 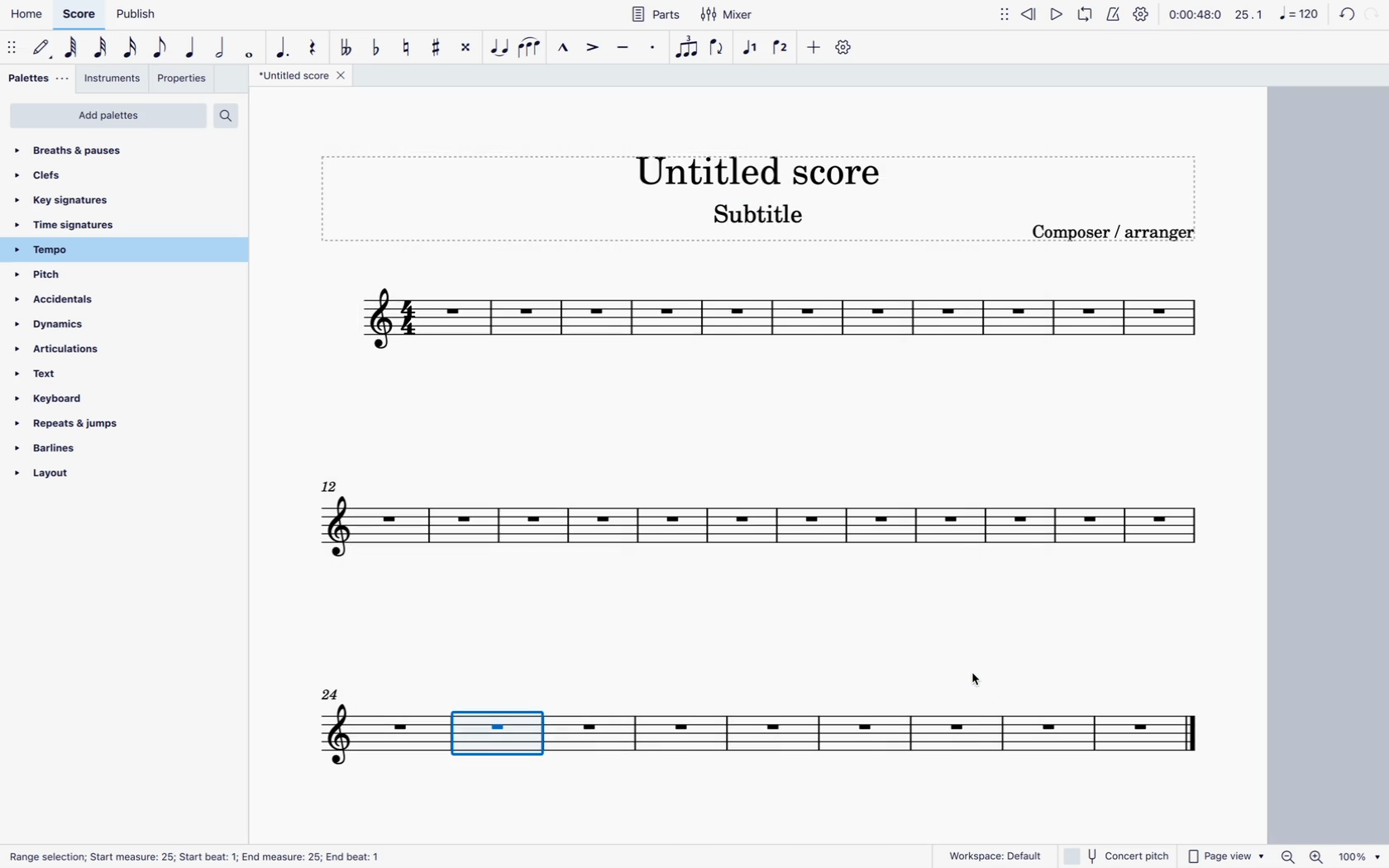 I want to click on 100%, so click(x=1360, y=856).